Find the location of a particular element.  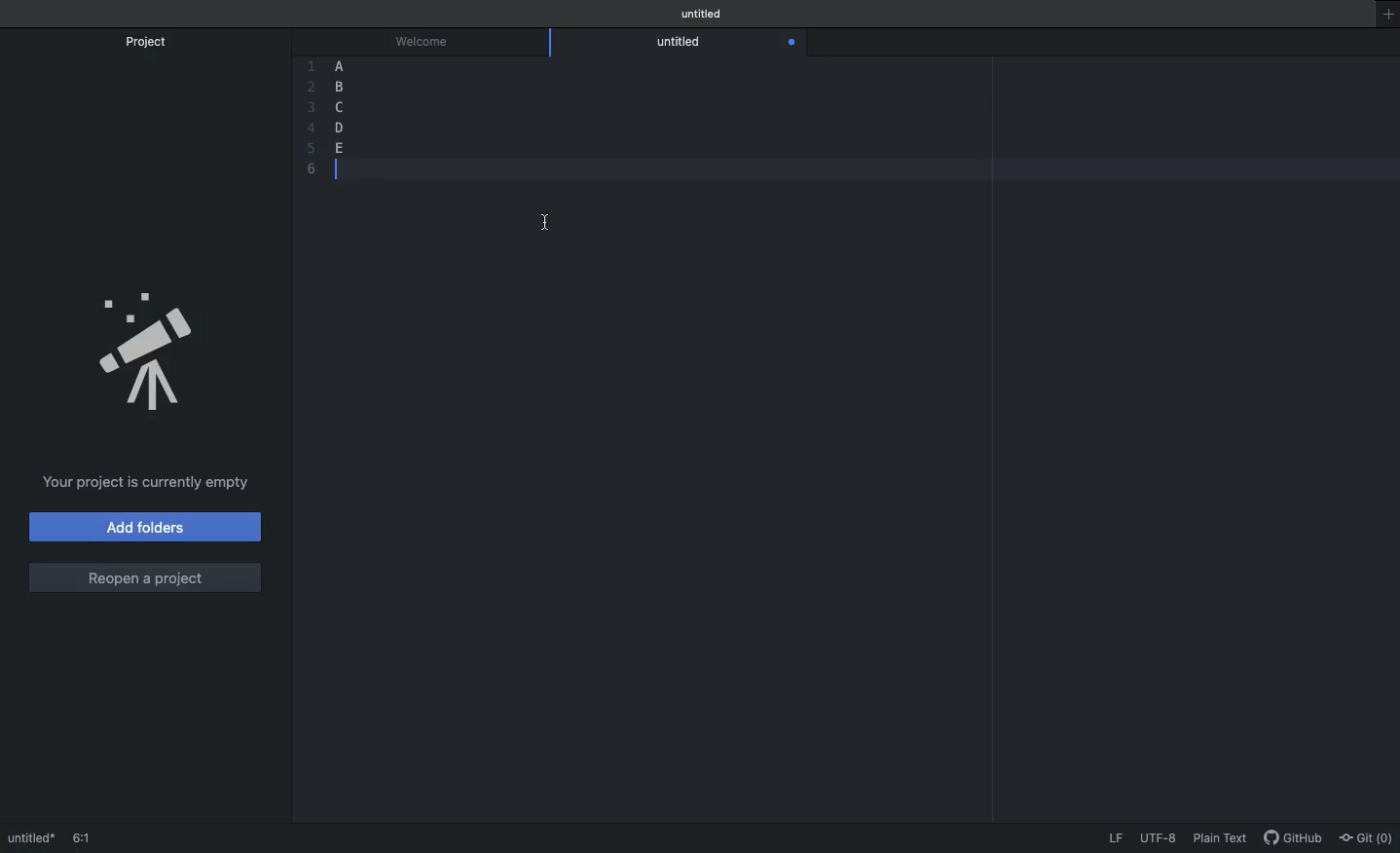

LF is located at coordinates (1115, 840).